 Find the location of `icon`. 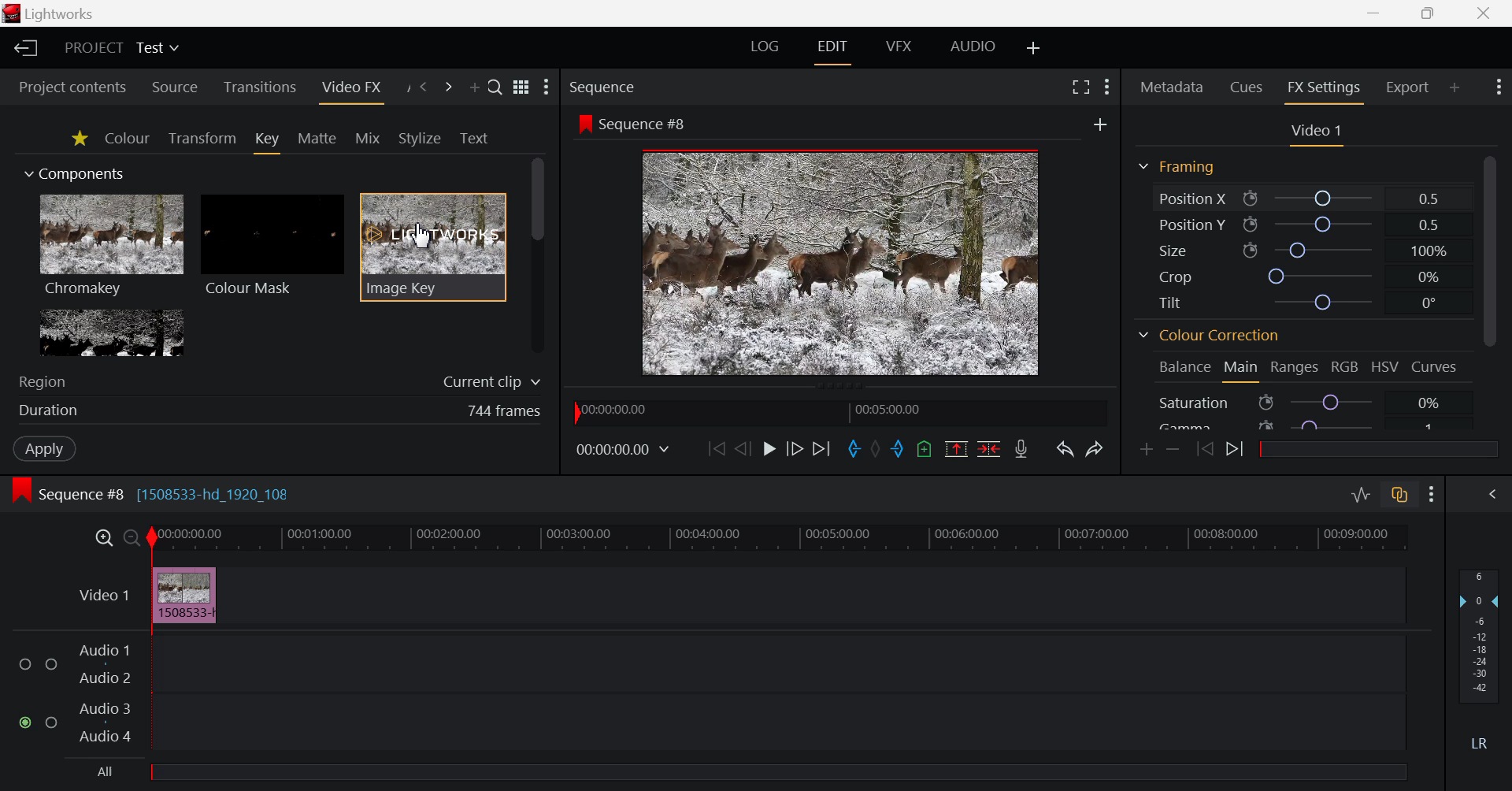

icon is located at coordinates (21, 492).